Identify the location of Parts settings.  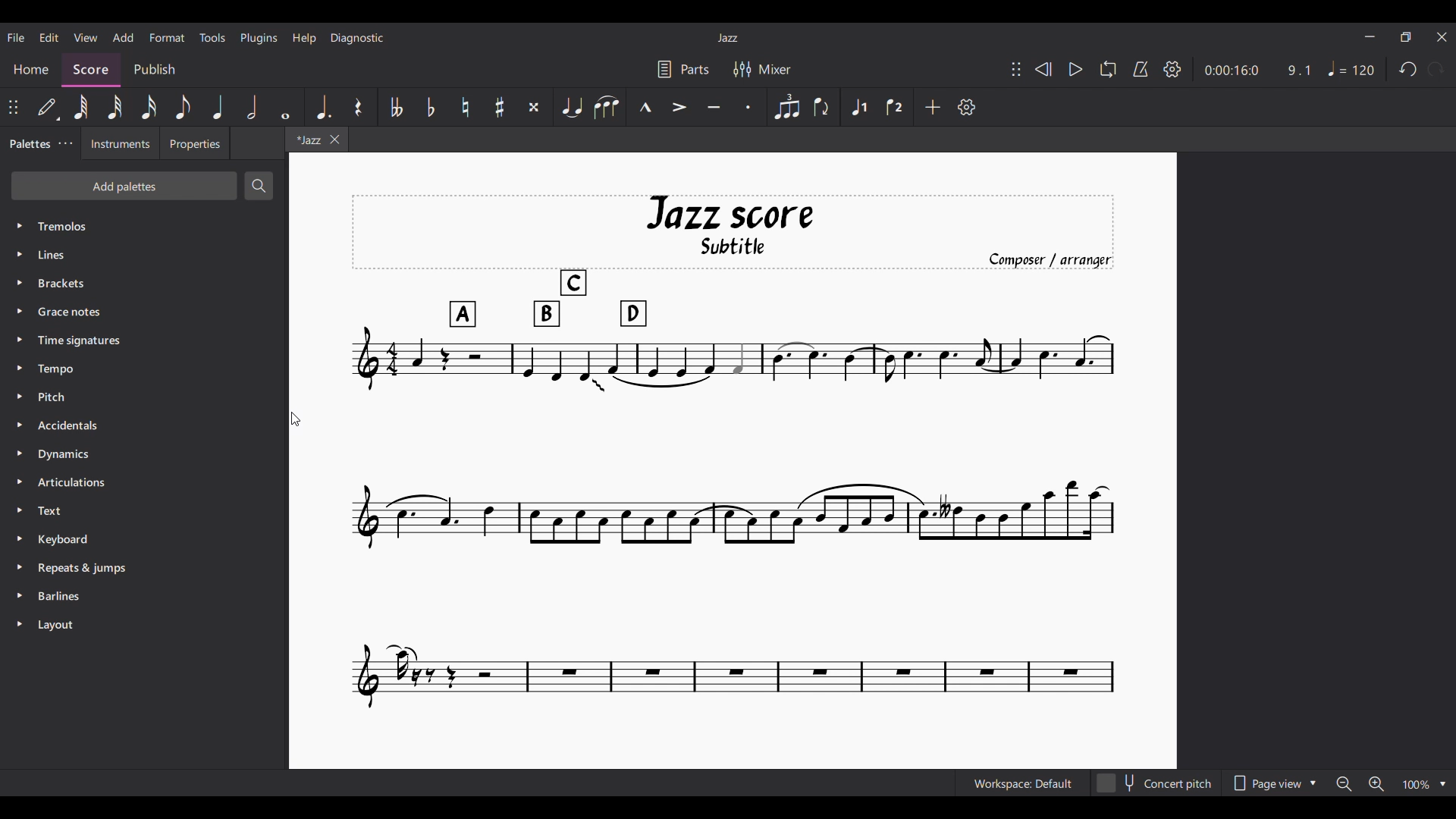
(683, 69).